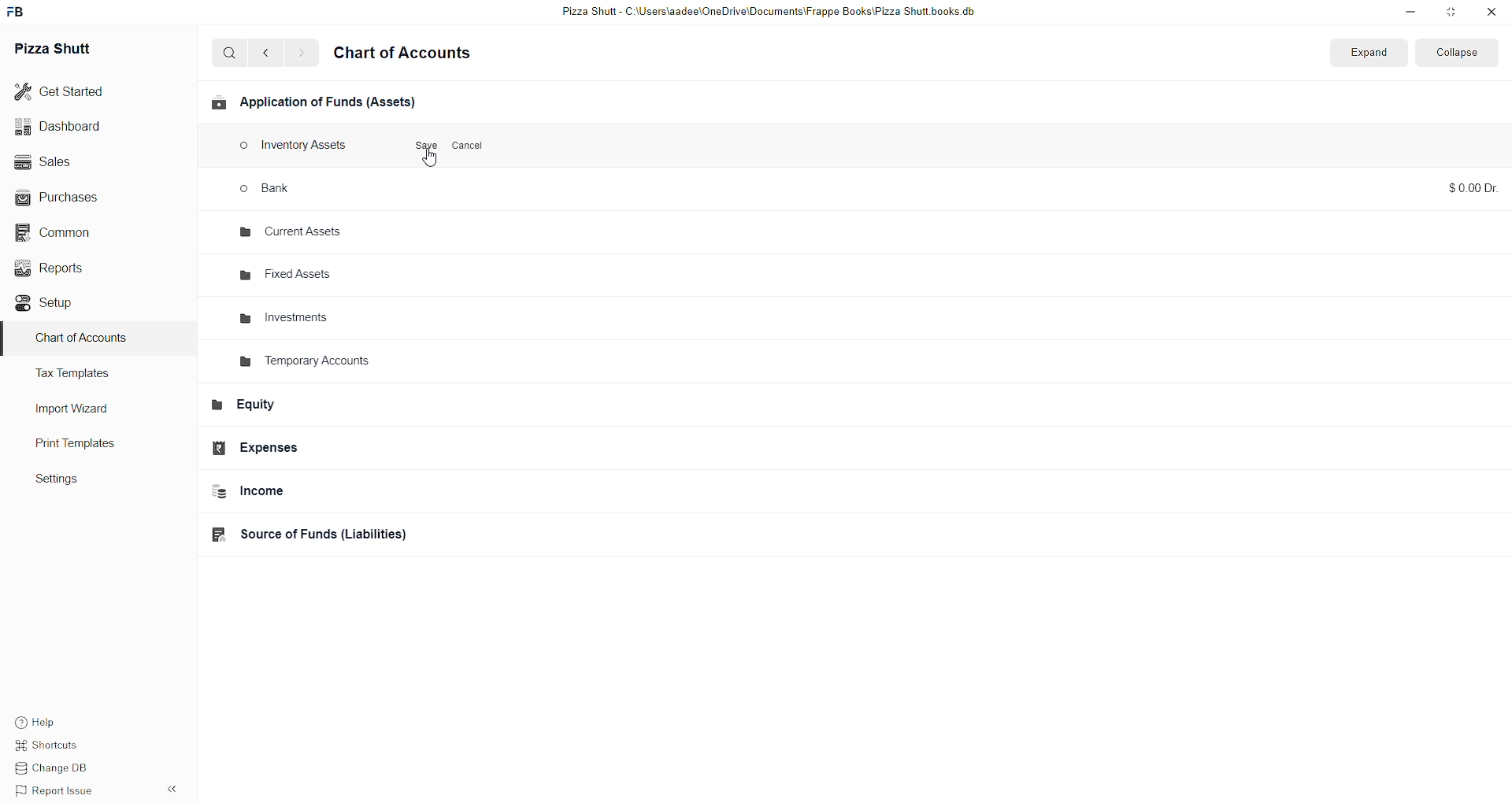 The width and height of the screenshot is (1512, 803). I want to click on collapse , so click(1455, 56).